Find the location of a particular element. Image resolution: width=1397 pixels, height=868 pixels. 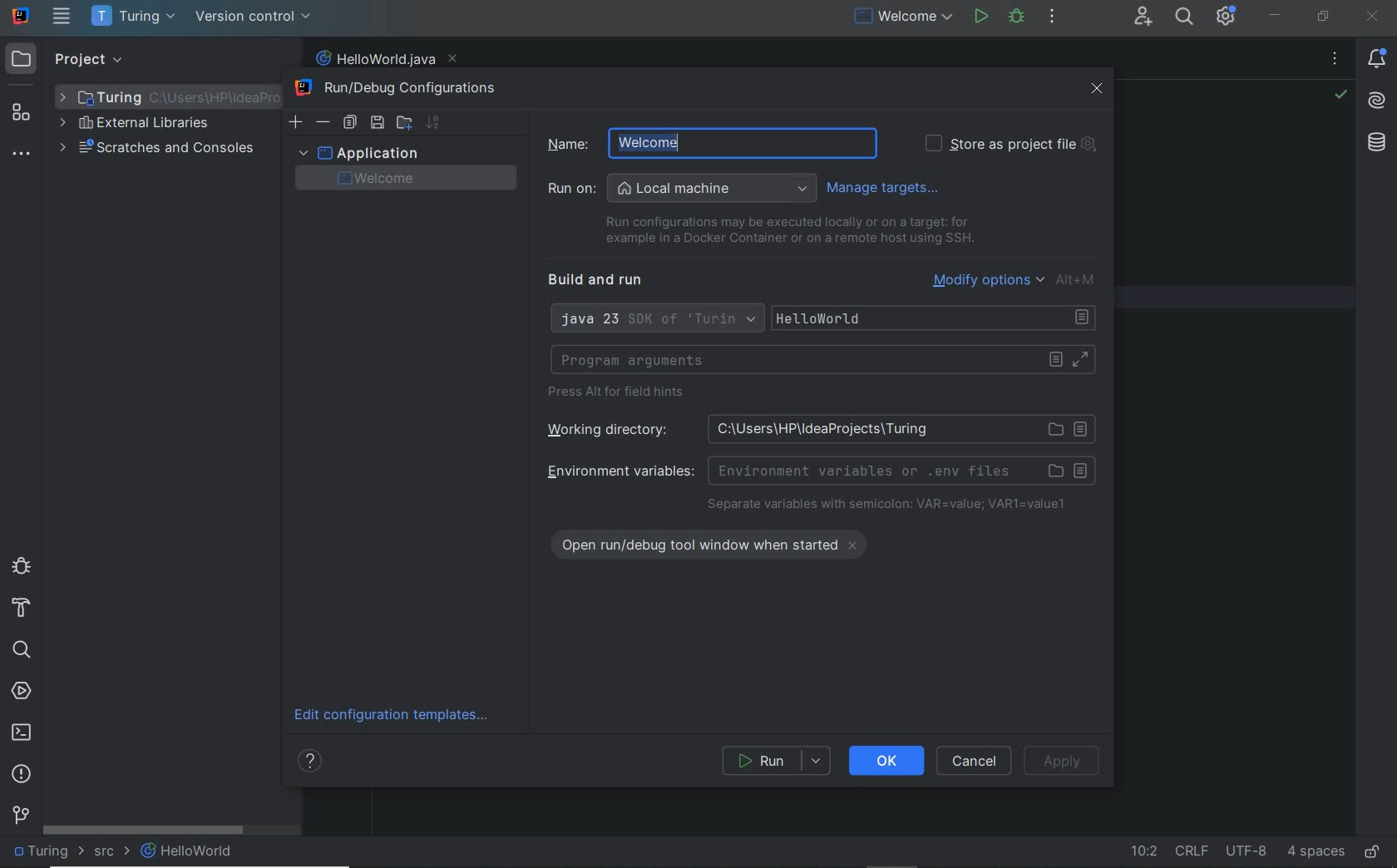

program arguments is located at coordinates (822, 360).